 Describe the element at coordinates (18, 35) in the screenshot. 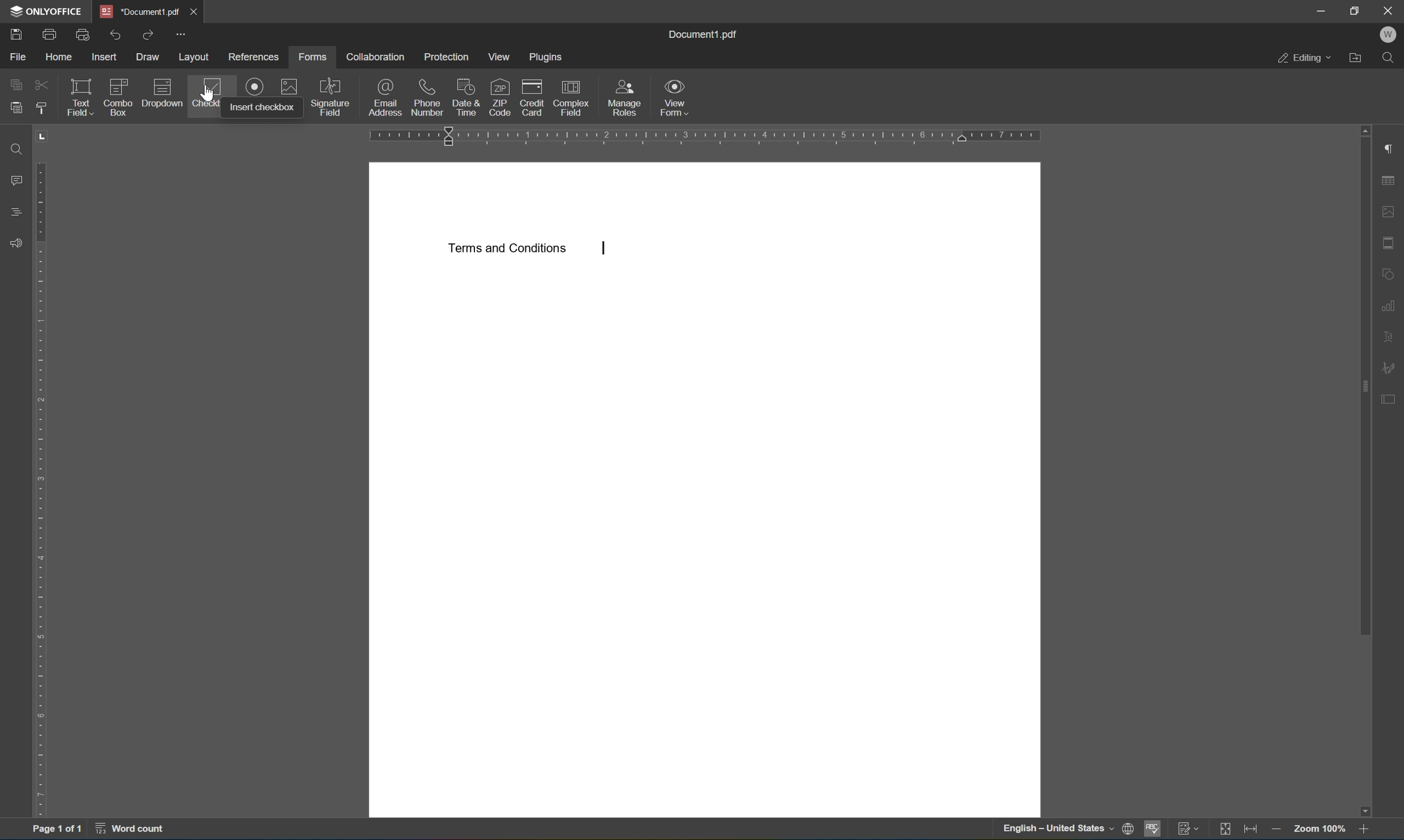

I see `save` at that location.